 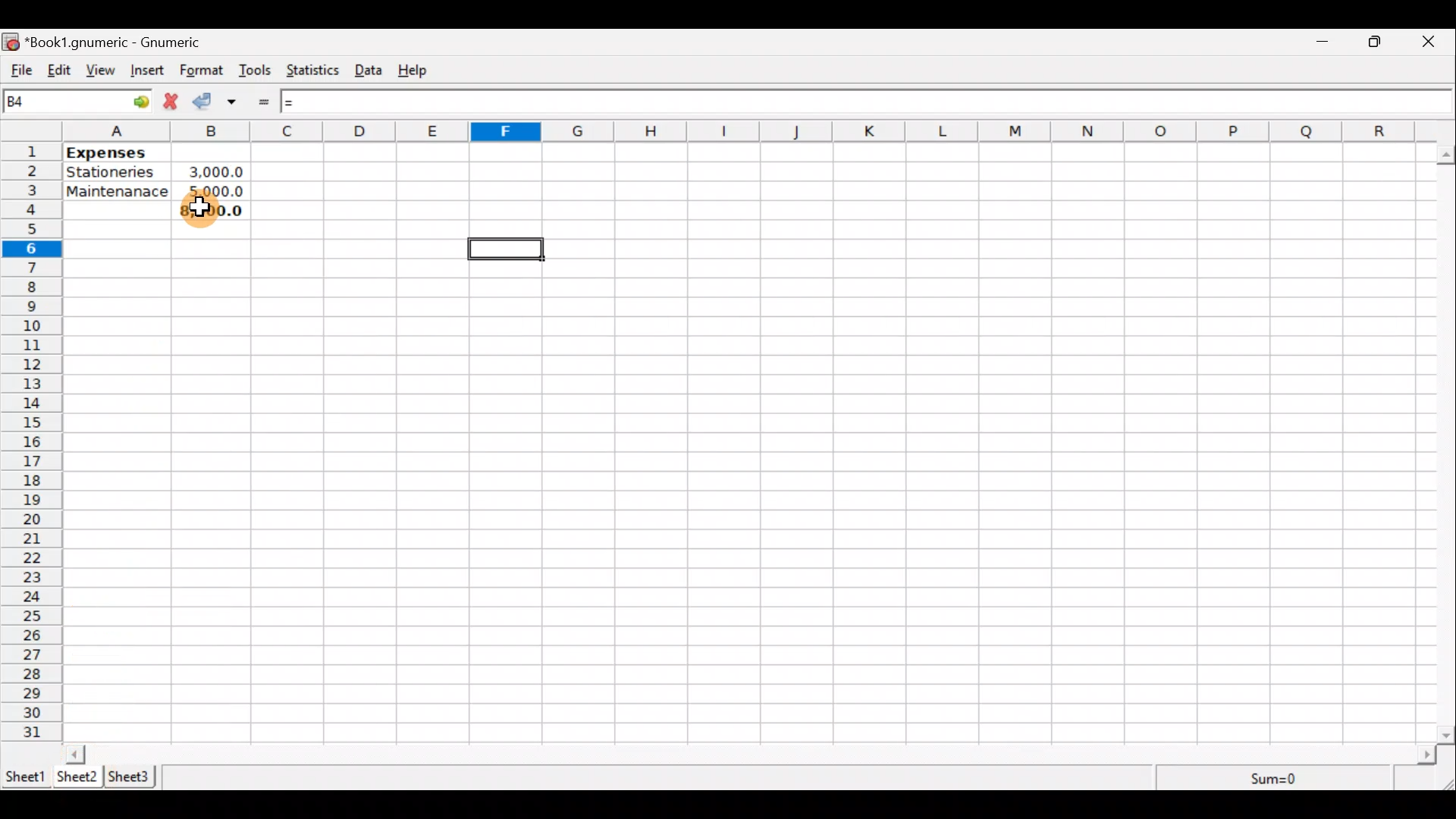 What do you see at coordinates (26, 775) in the screenshot?
I see `Sheet 1` at bounding box center [26, 775].